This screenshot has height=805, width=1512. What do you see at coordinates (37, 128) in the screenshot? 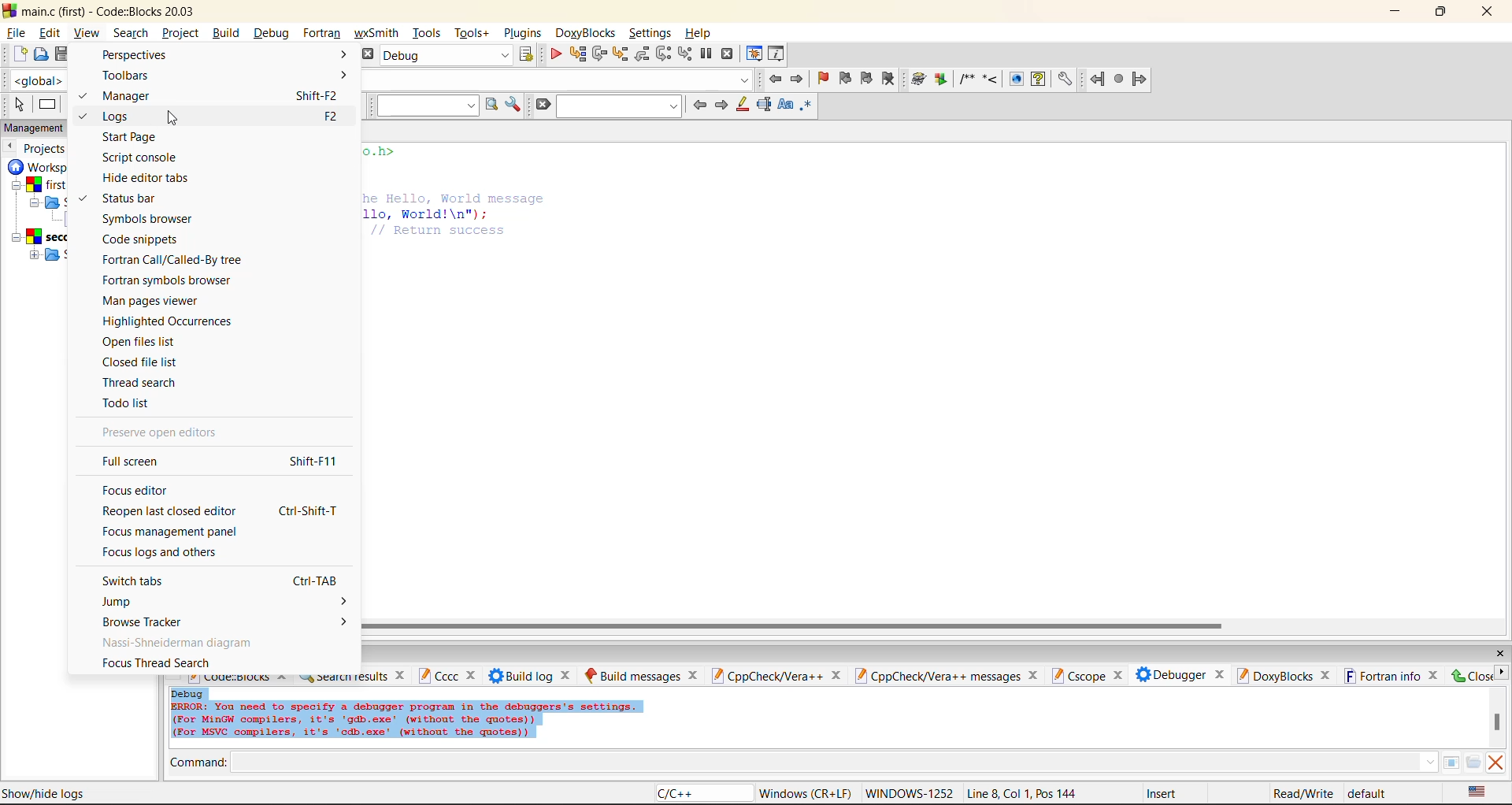
I see `management` at bounding box center [37, 128].